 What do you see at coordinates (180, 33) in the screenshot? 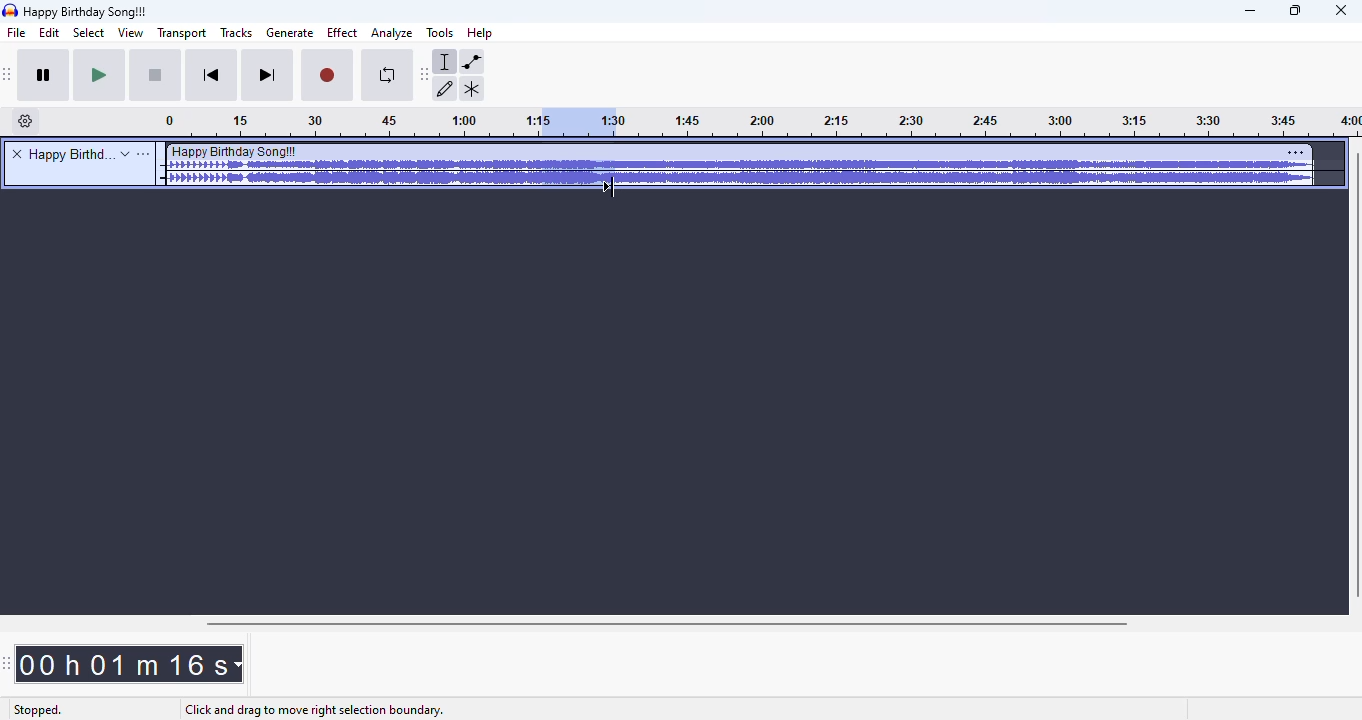
I see `transport` at bounding box center [180, 33].